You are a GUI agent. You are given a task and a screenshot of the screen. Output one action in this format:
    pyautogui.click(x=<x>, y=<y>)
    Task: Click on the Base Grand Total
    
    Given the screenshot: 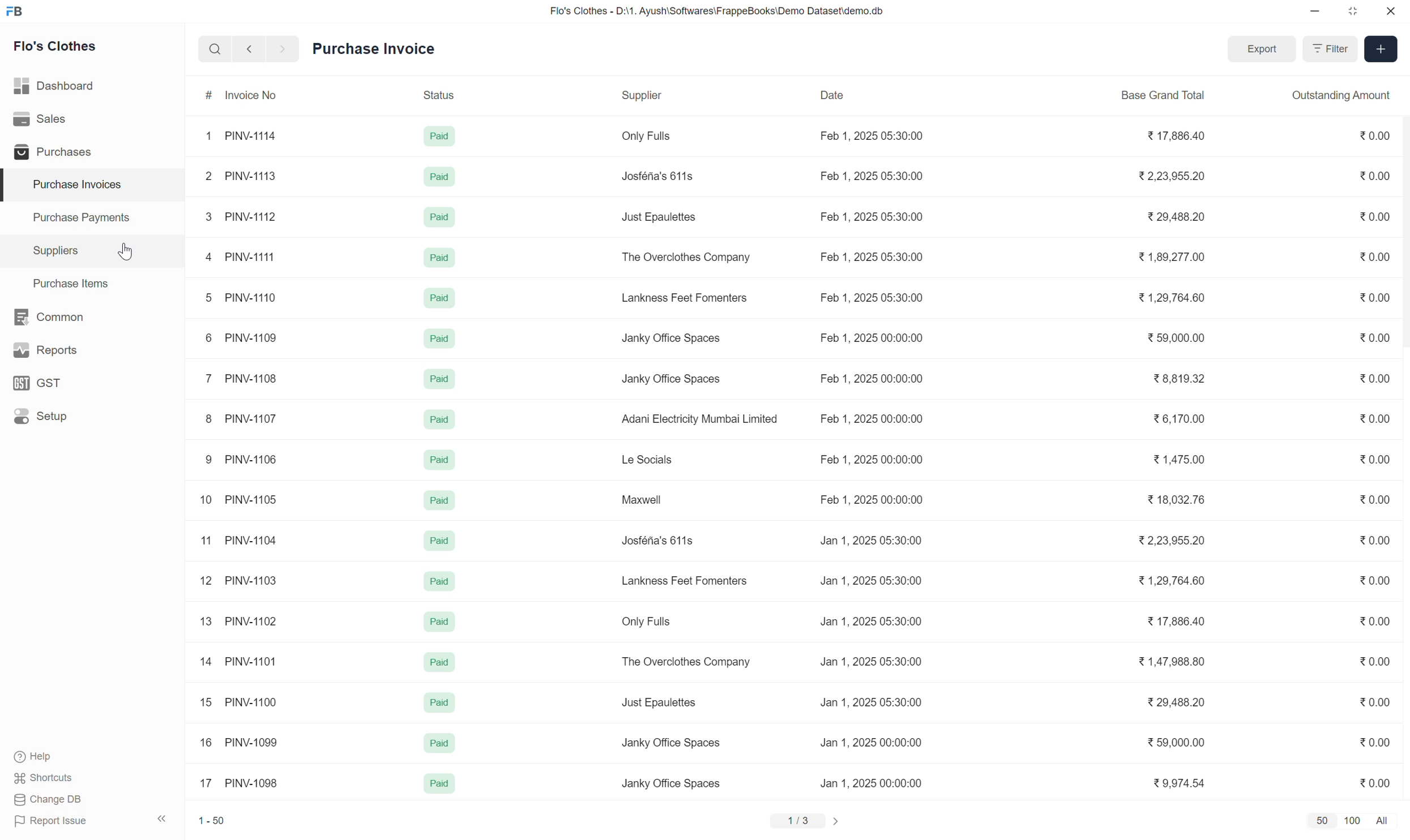 What is the action you would take?
    pyautogui.click(x=1174, y=96)
    